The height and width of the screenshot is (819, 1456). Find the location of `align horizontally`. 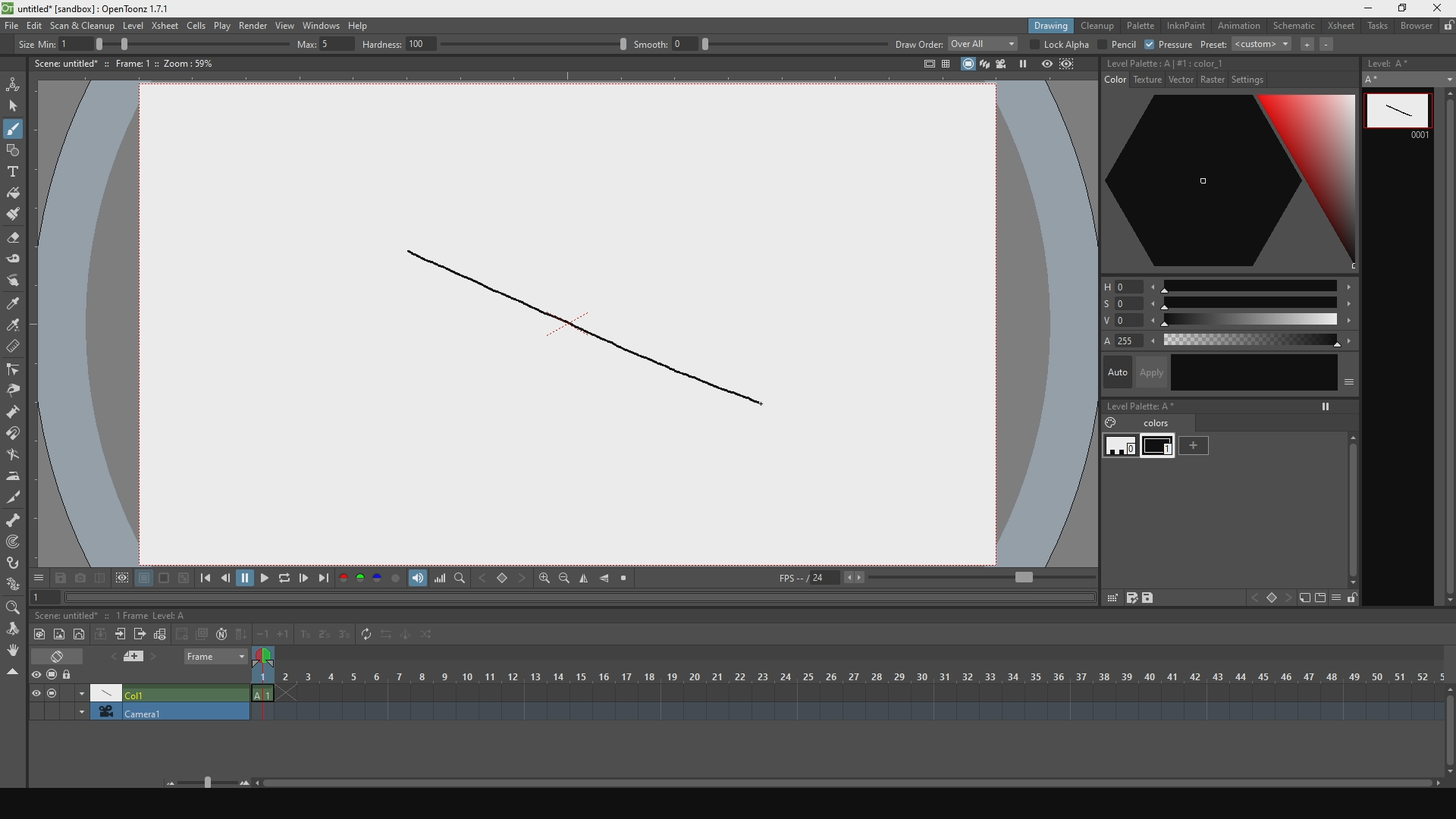

align horizontally is located at coordinates (606, 579).